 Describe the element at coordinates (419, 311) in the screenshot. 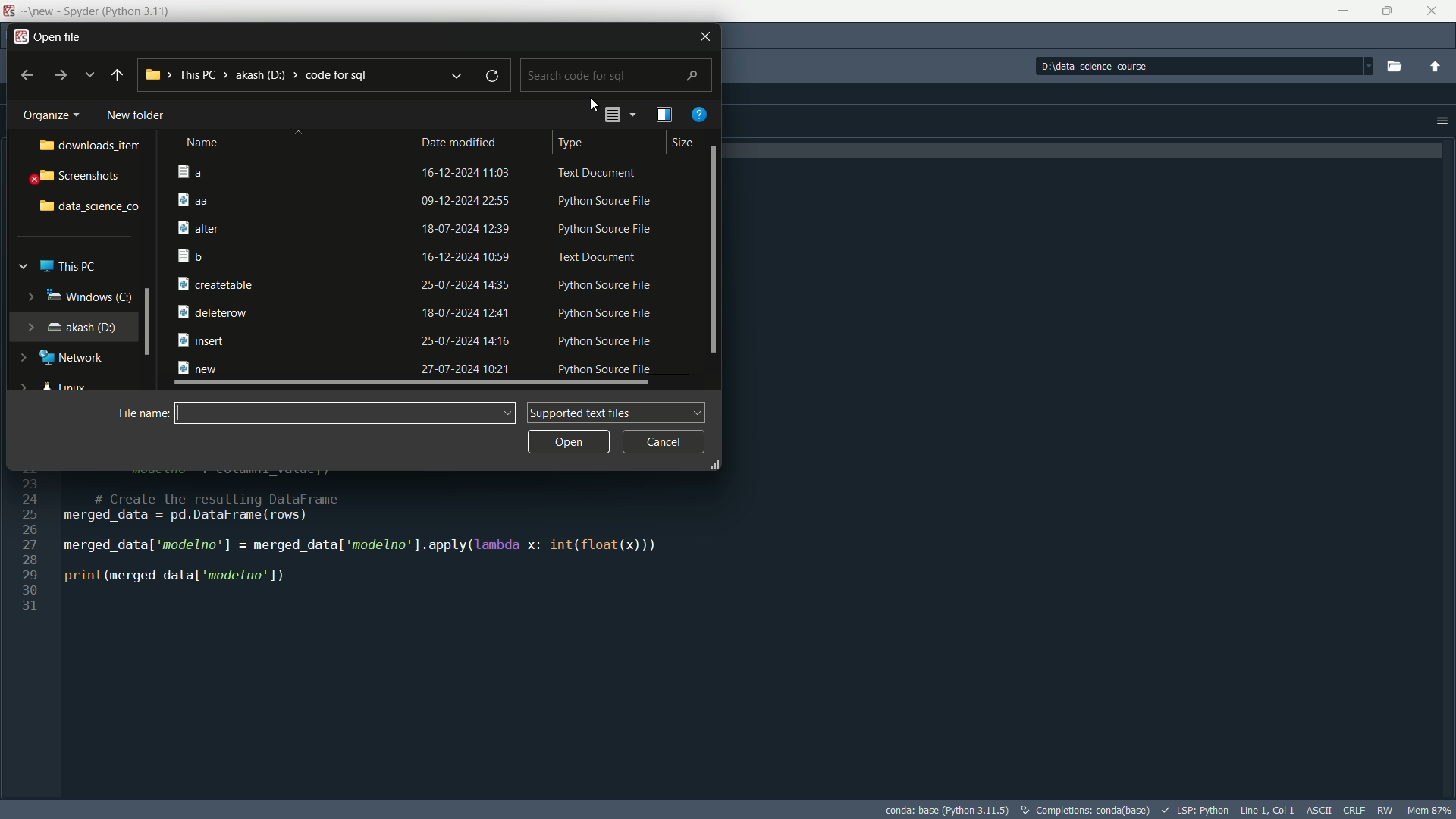

I see `file-6` at that location.